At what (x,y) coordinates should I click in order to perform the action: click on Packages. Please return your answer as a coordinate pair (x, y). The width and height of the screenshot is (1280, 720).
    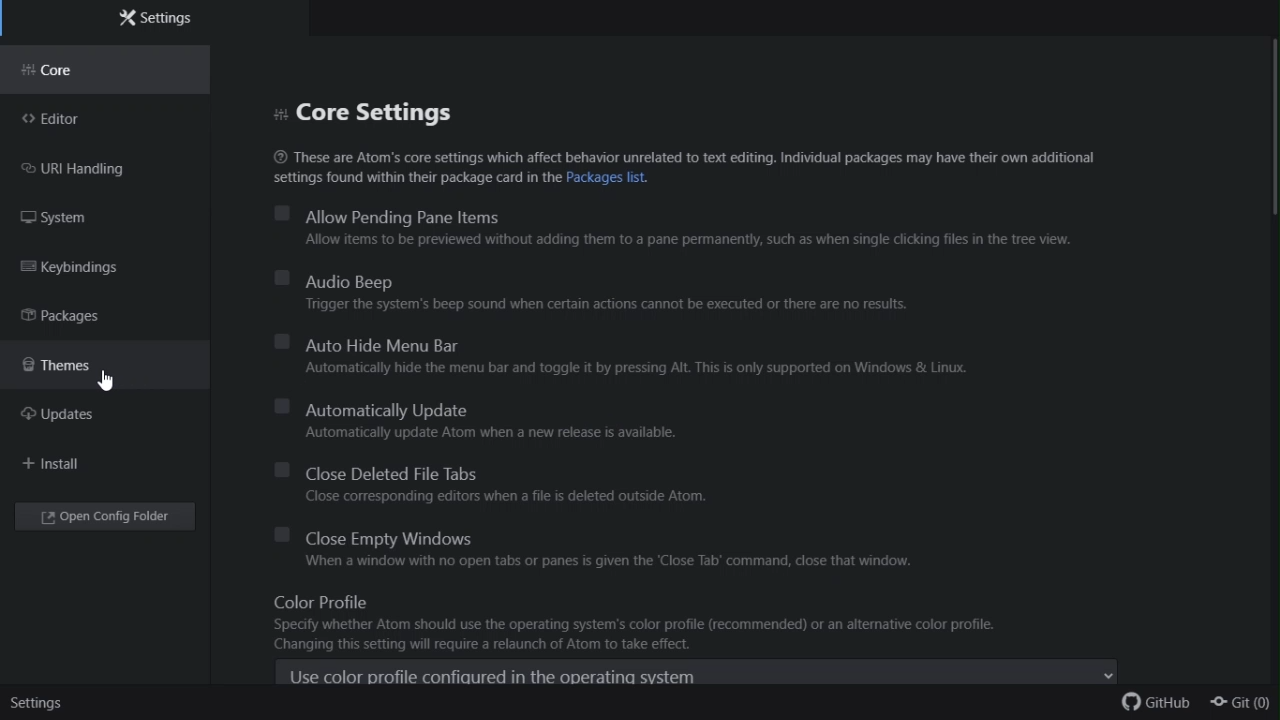
    Looking at the image, I should click on (84, 317).